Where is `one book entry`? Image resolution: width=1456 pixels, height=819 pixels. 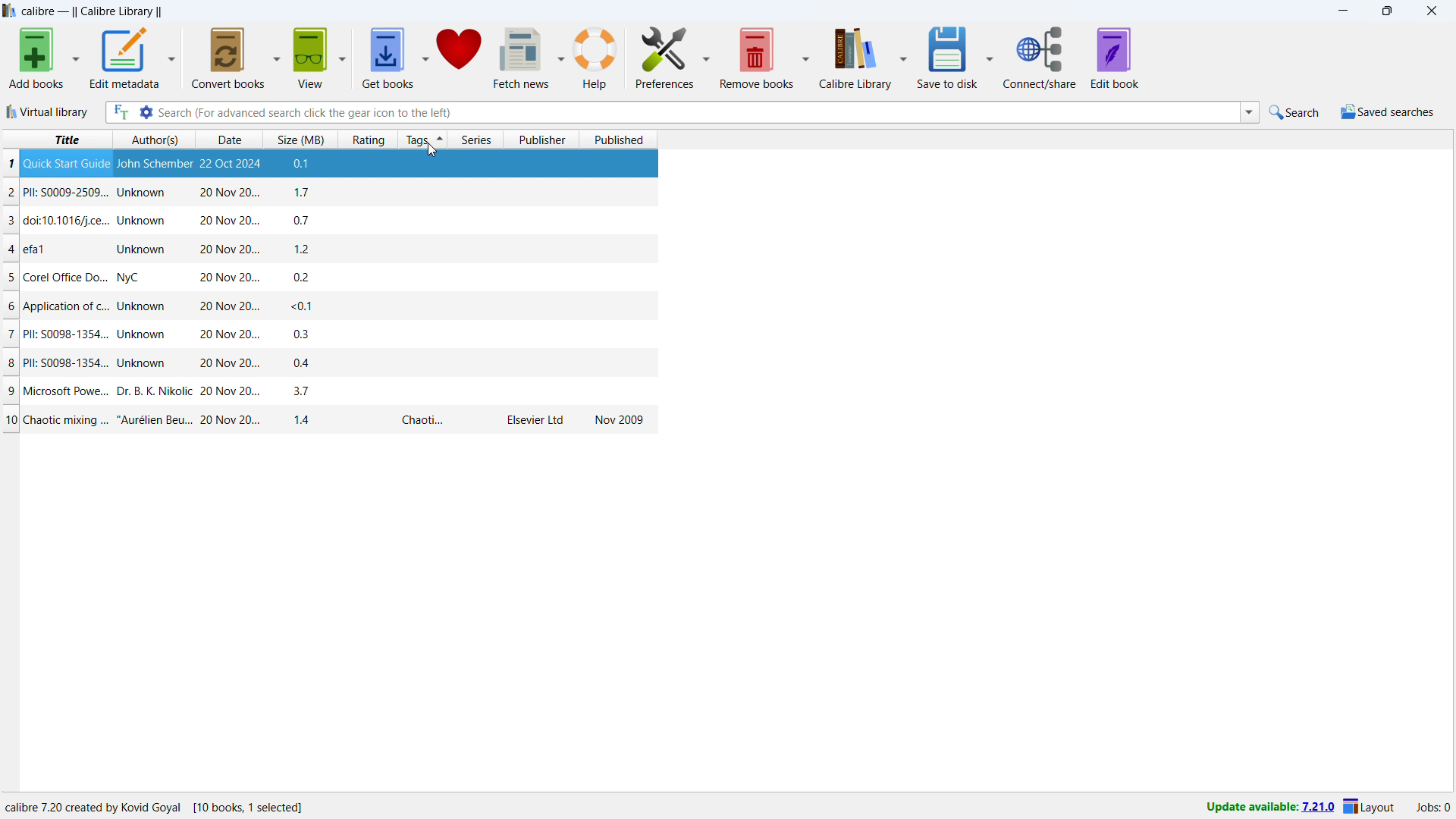
one book entry is located at coordinates (332, 423).